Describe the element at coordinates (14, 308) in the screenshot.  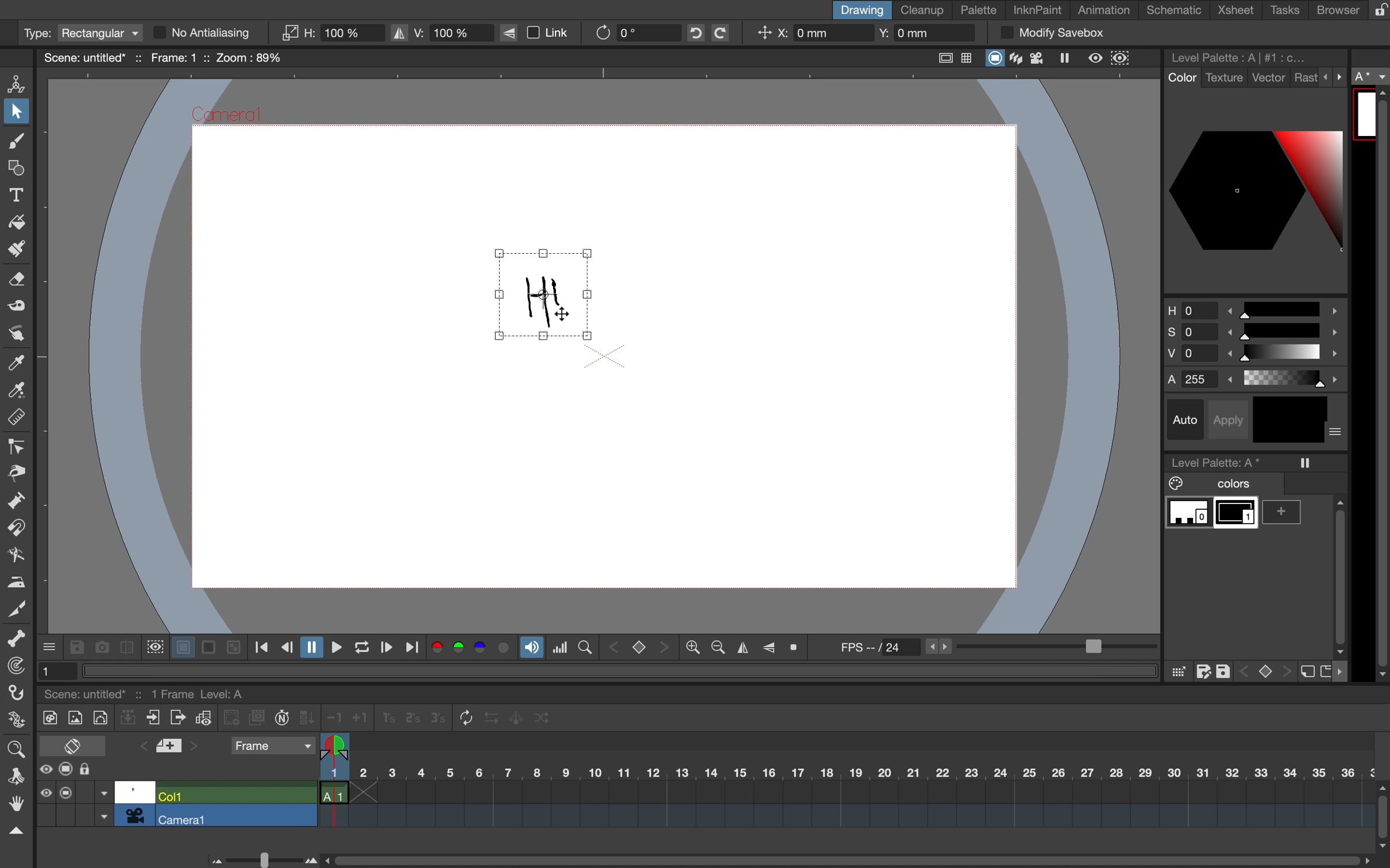
I see `tape tool` at that location.